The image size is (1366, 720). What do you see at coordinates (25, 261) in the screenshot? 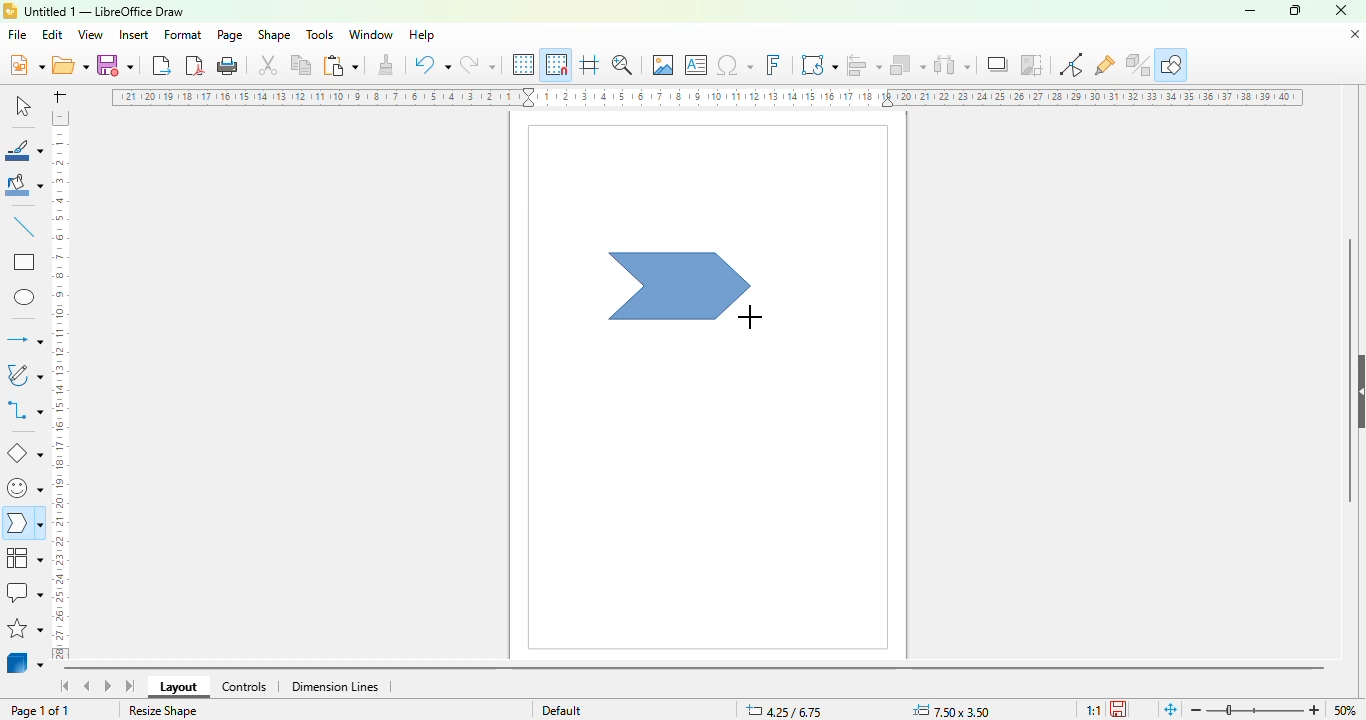
I see `rectangle` at bounding box center [25, 261].